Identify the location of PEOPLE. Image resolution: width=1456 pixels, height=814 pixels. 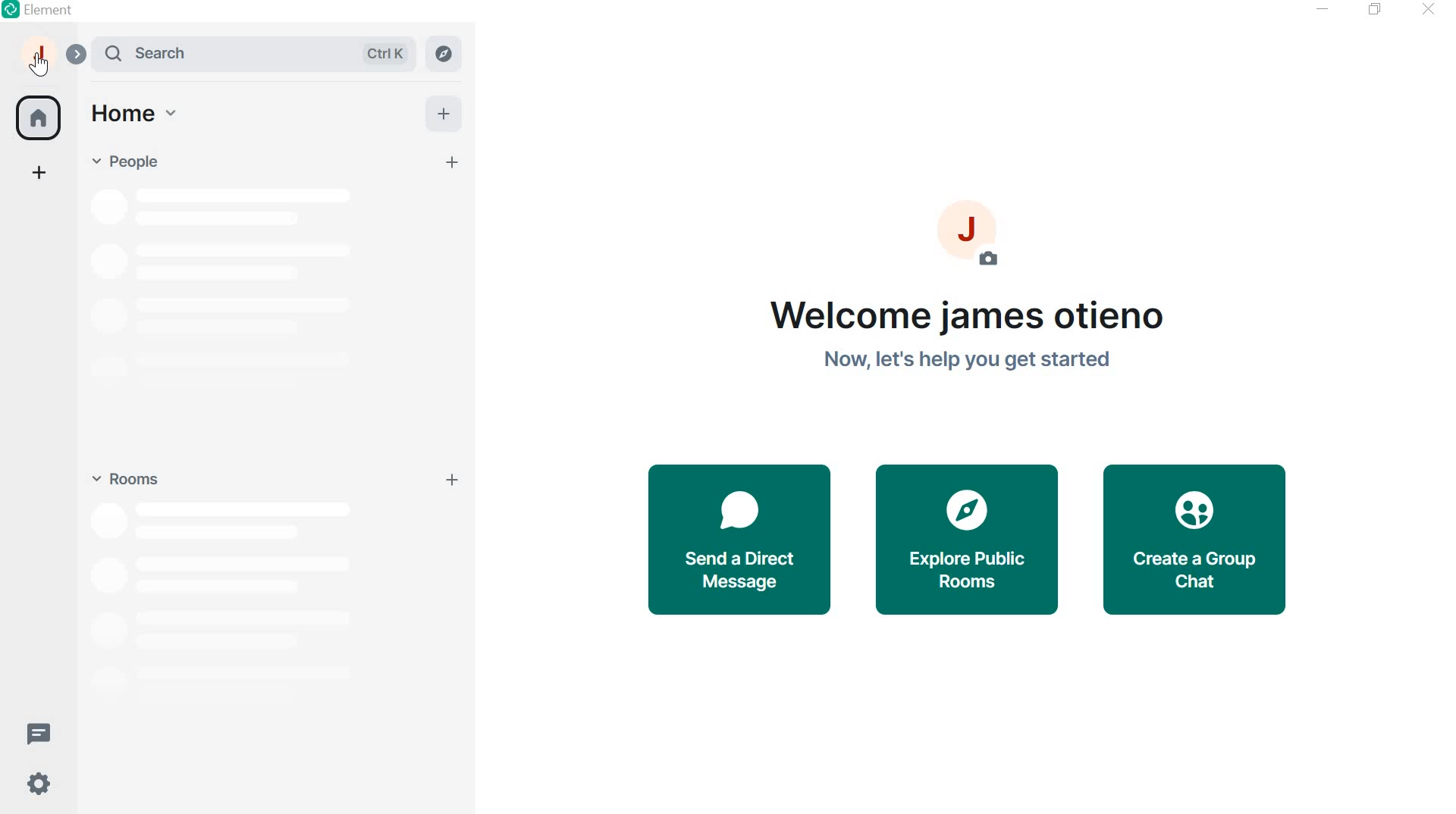
(130, 161).